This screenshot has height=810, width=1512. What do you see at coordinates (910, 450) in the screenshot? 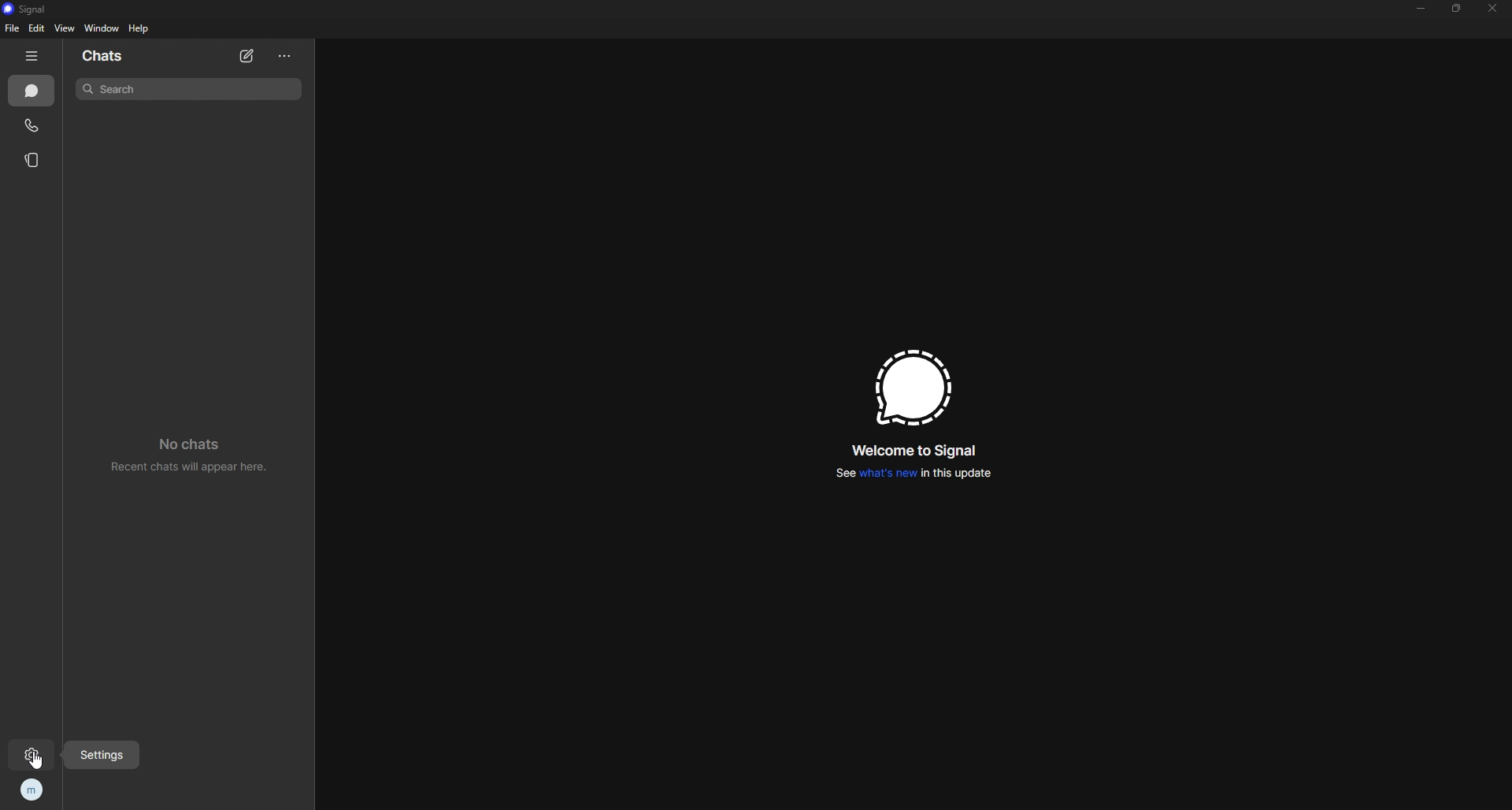
I see `welcome` at bounding box center [910, 450].